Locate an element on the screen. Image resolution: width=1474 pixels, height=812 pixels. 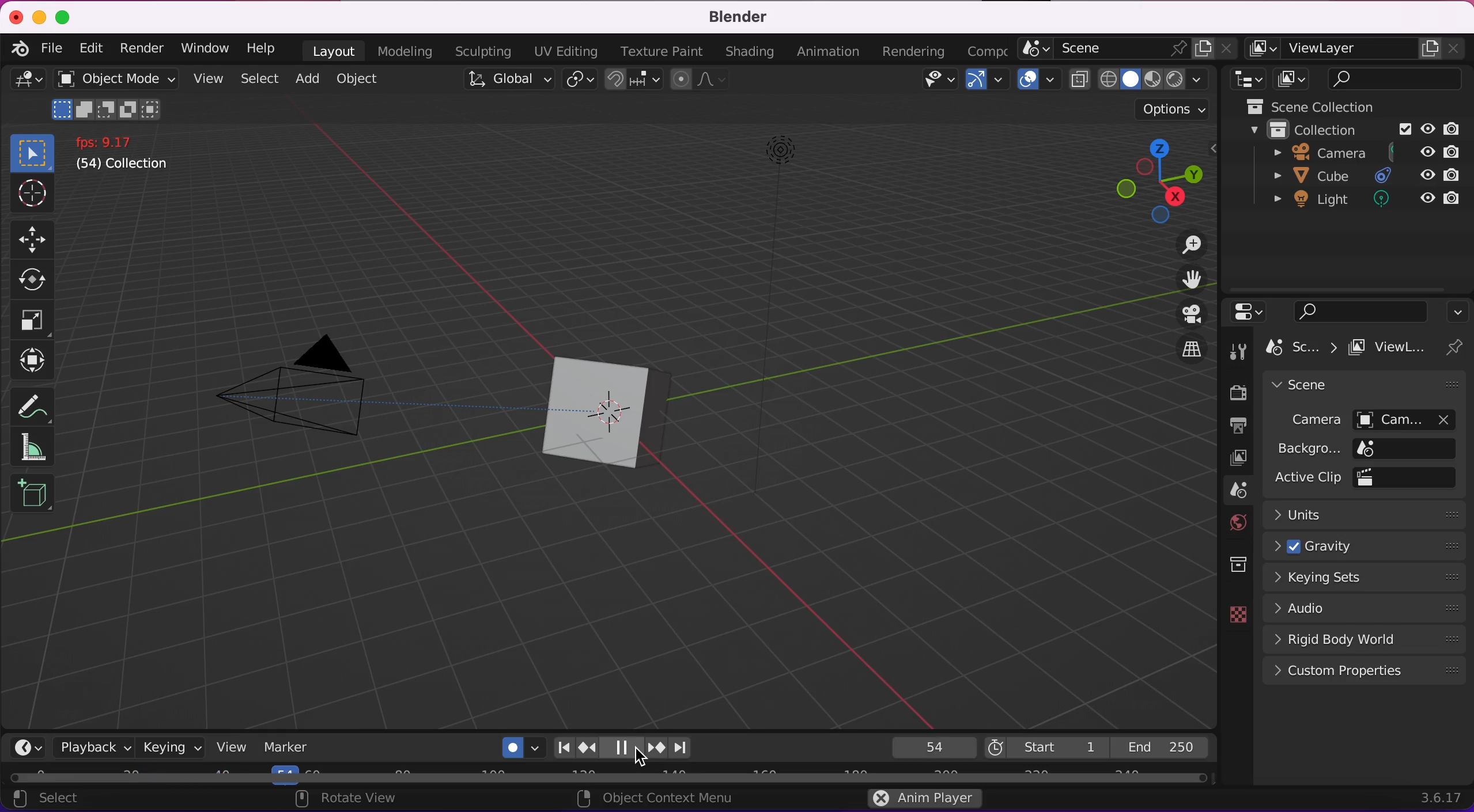
editor type is located at coordinates (31, 747).